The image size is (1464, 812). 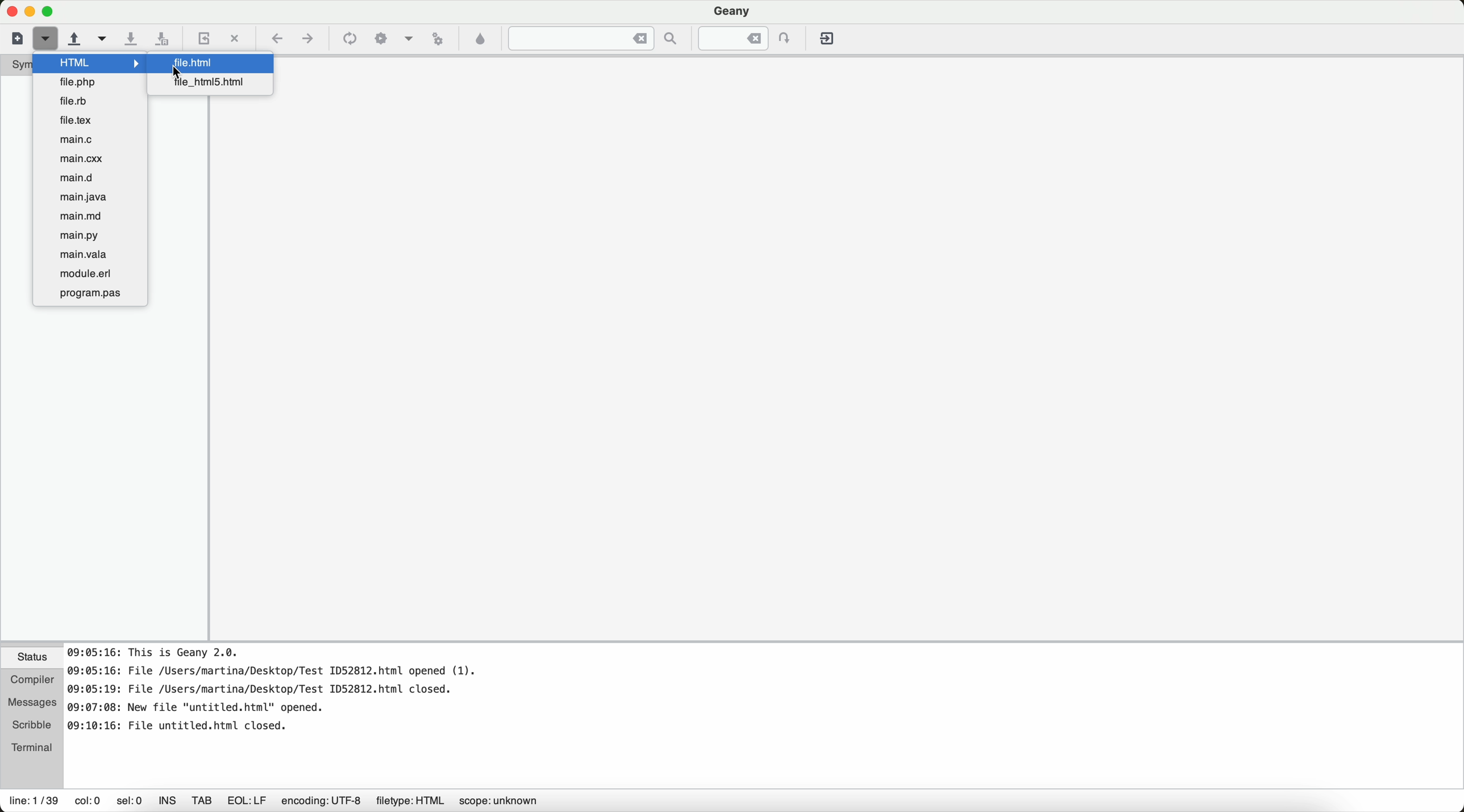 I want to click on navigate back, so click(x=276, y=39).